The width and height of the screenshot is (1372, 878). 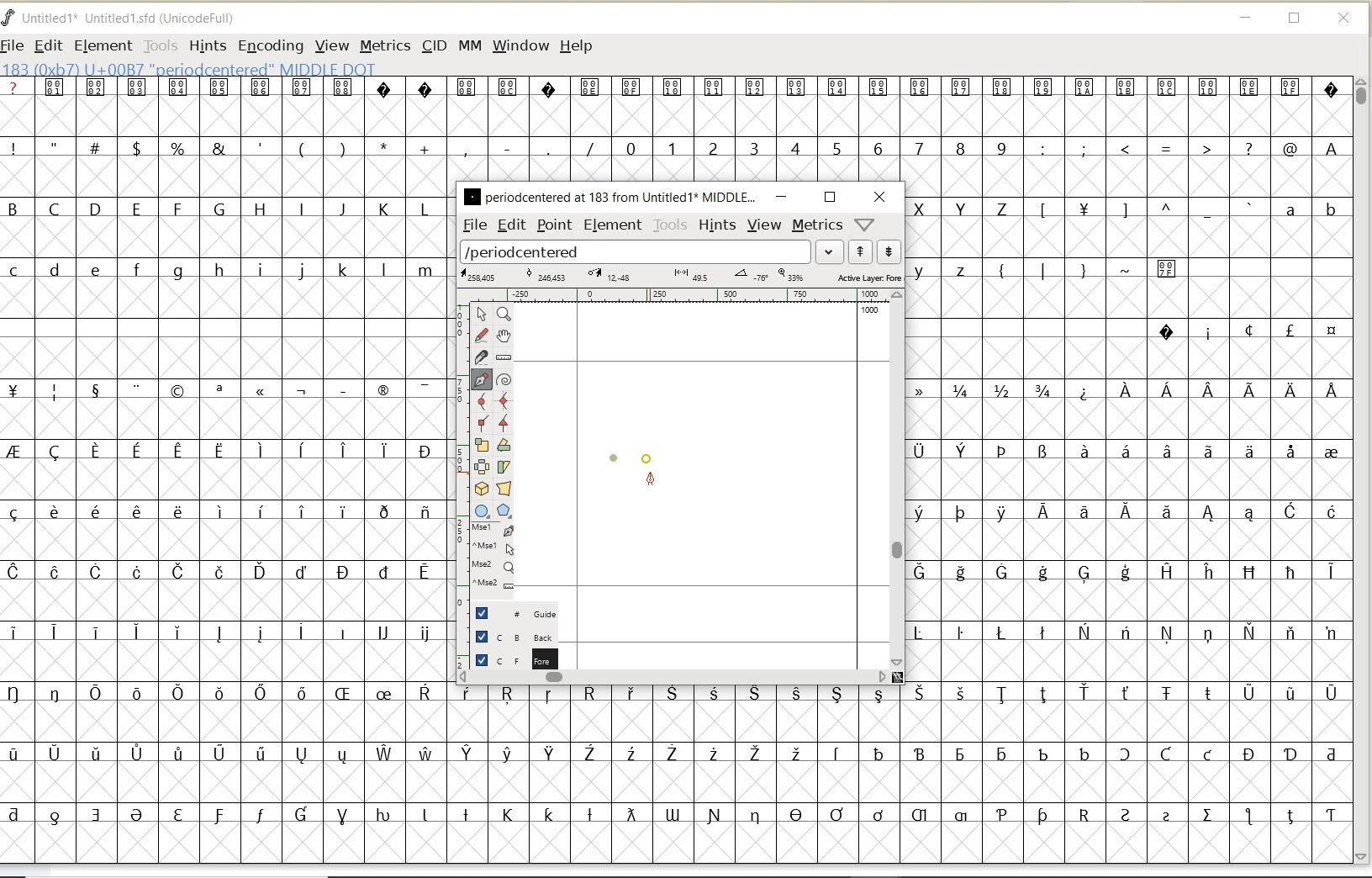 What do you see at coordinates (1364, 470) in the screenshot?
I see `SCROLLBAR` at bounding box center [1364, 470].